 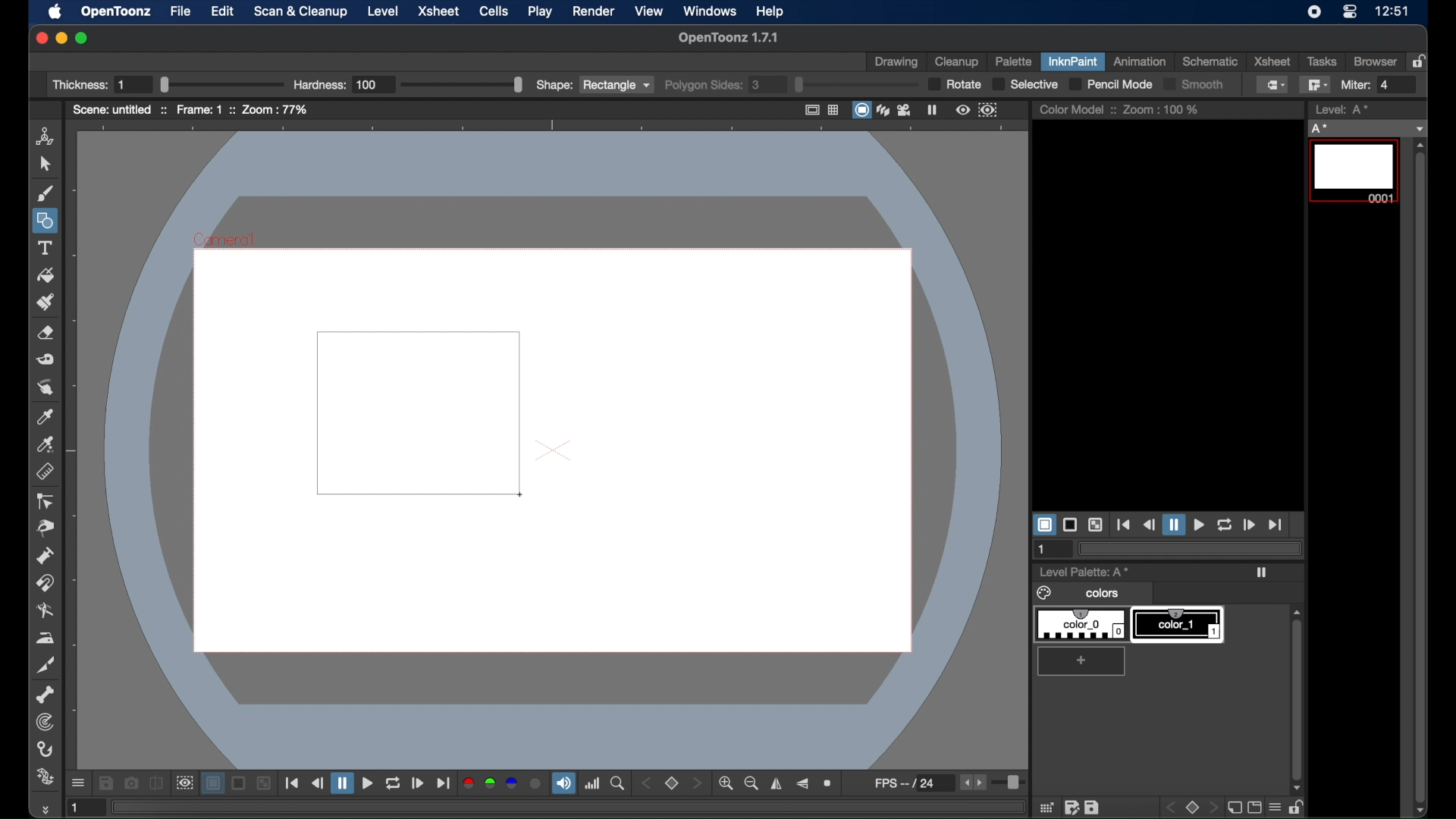 I want to click on zoom : 77%, so click(x=276, y=109).